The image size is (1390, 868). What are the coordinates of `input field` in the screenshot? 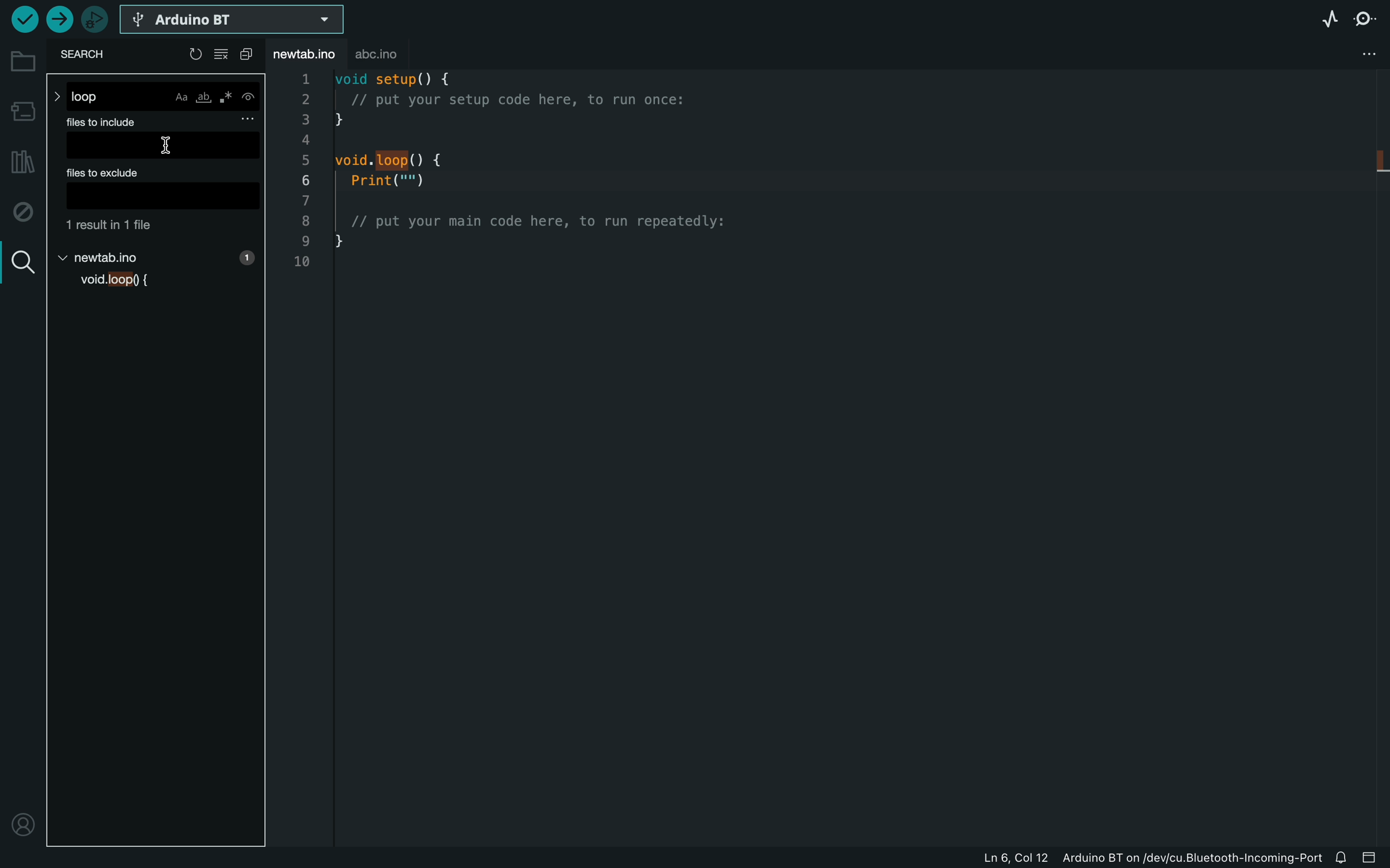 It's located at (168, 198).